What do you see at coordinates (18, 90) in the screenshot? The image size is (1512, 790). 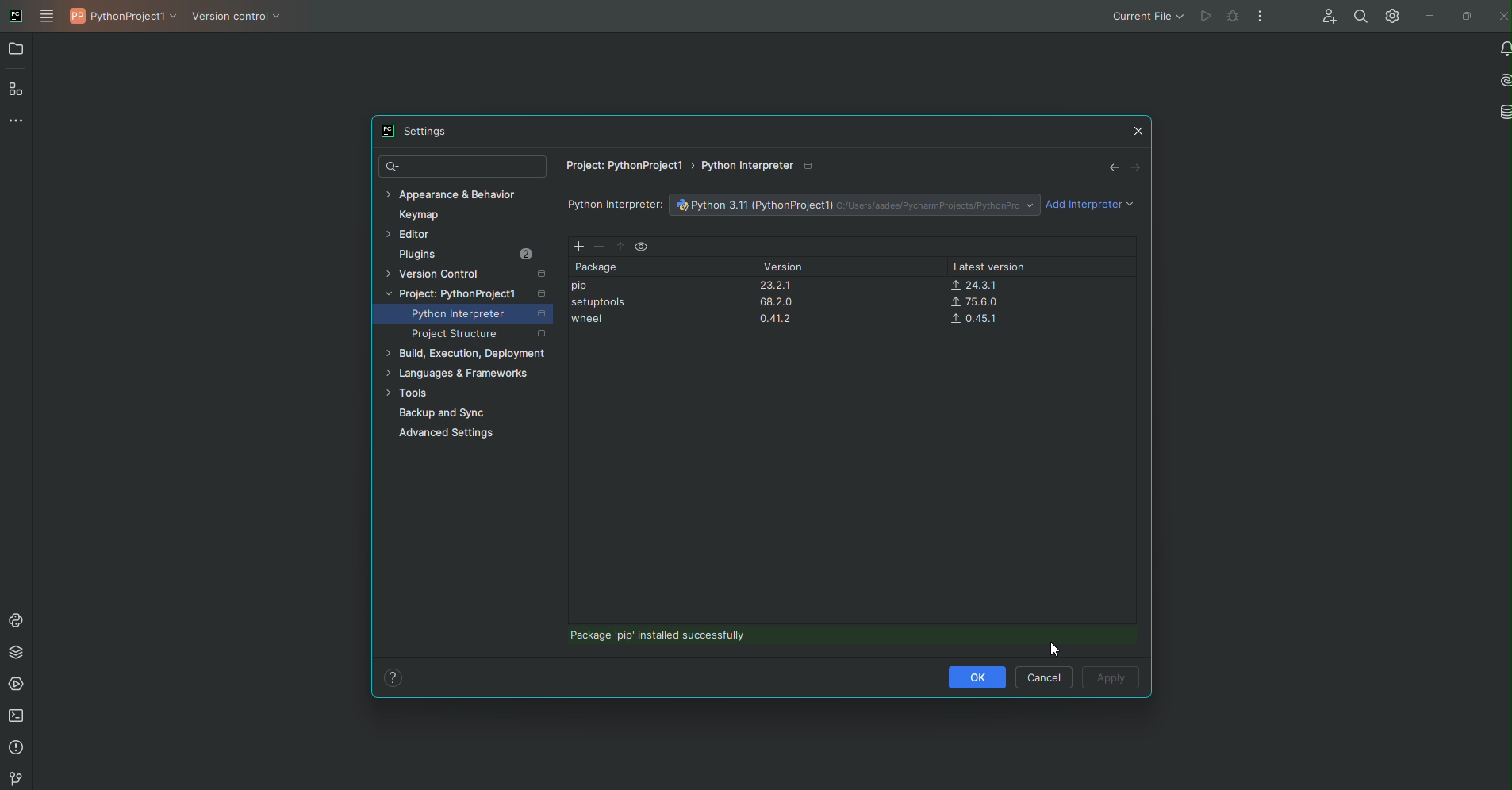 I see `Structure` at bounding box center [18, 90].